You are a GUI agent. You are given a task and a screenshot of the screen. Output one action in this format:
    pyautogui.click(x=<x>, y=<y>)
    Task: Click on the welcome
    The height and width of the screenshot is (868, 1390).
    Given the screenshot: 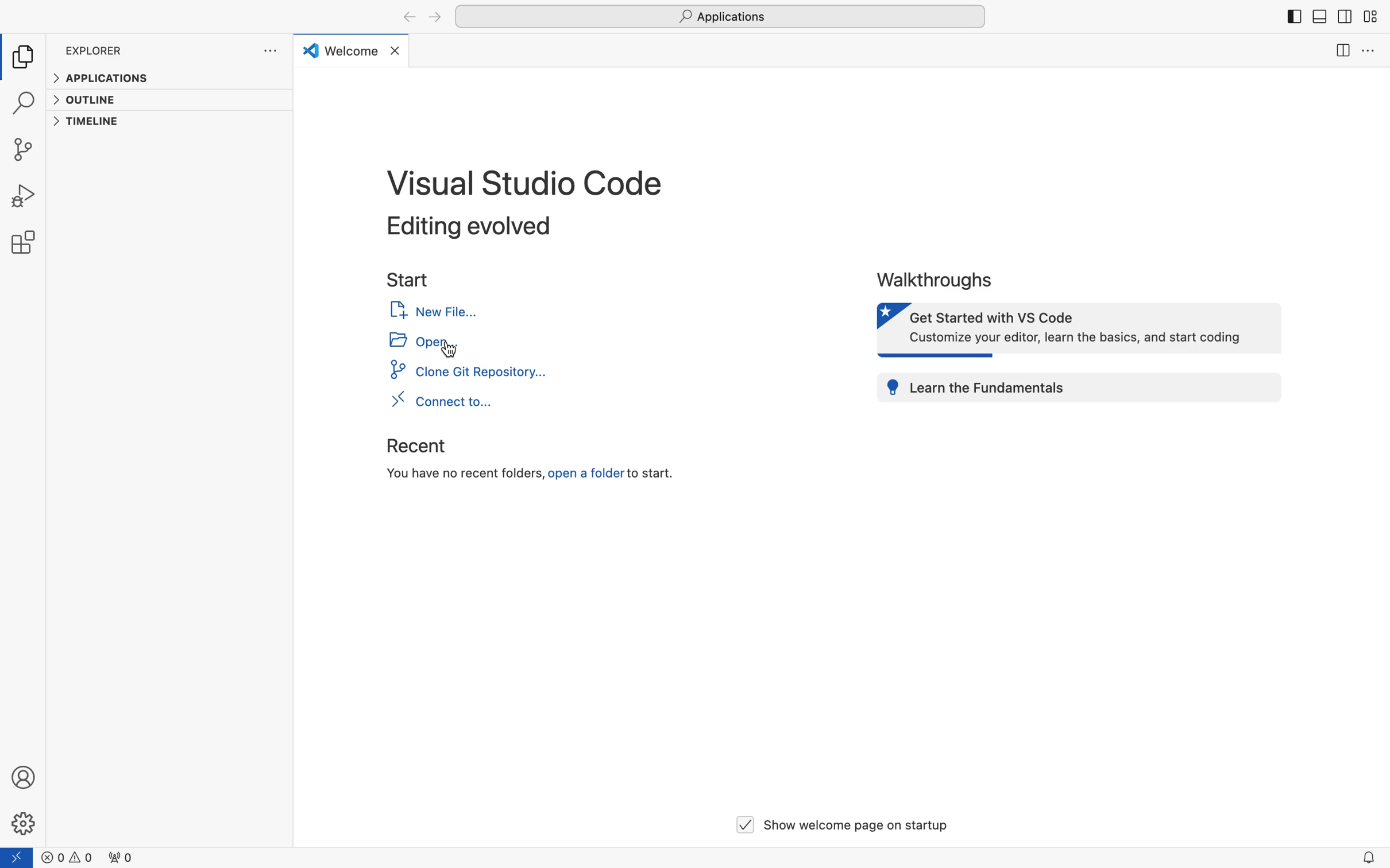 What is the action you would take?
    pyautogui.click(x=352, y=50)
    